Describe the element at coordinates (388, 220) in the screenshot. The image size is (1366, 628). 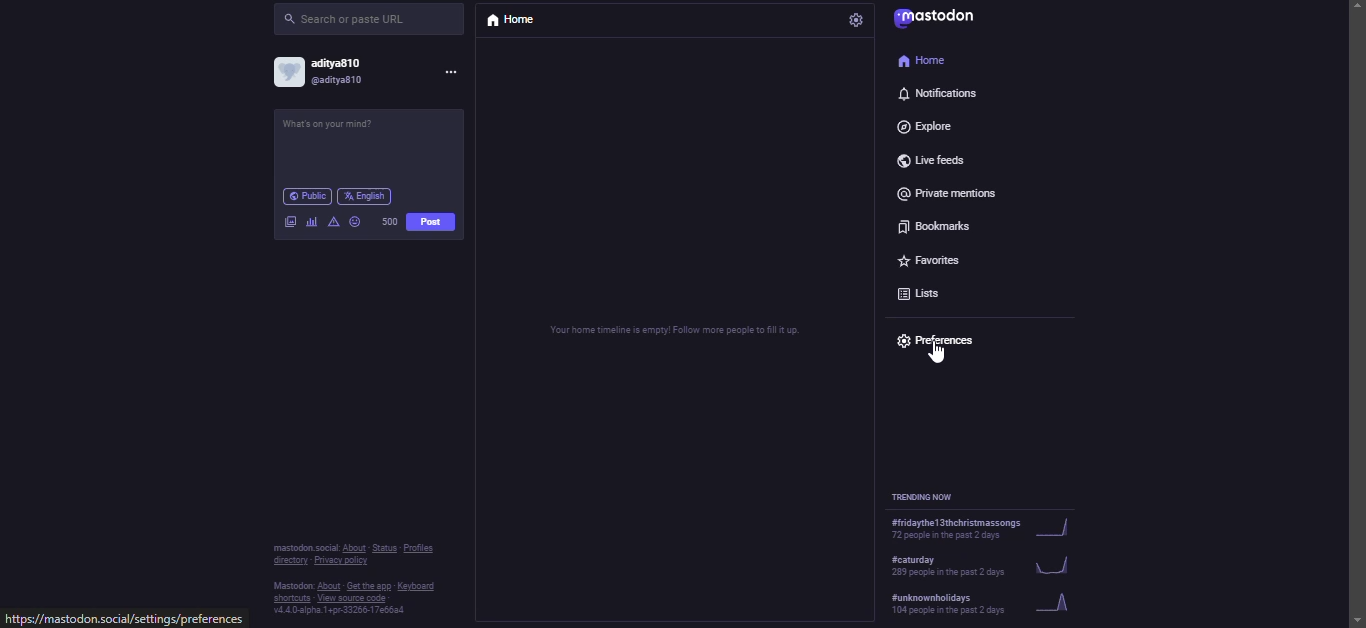
I see `500` at that location.